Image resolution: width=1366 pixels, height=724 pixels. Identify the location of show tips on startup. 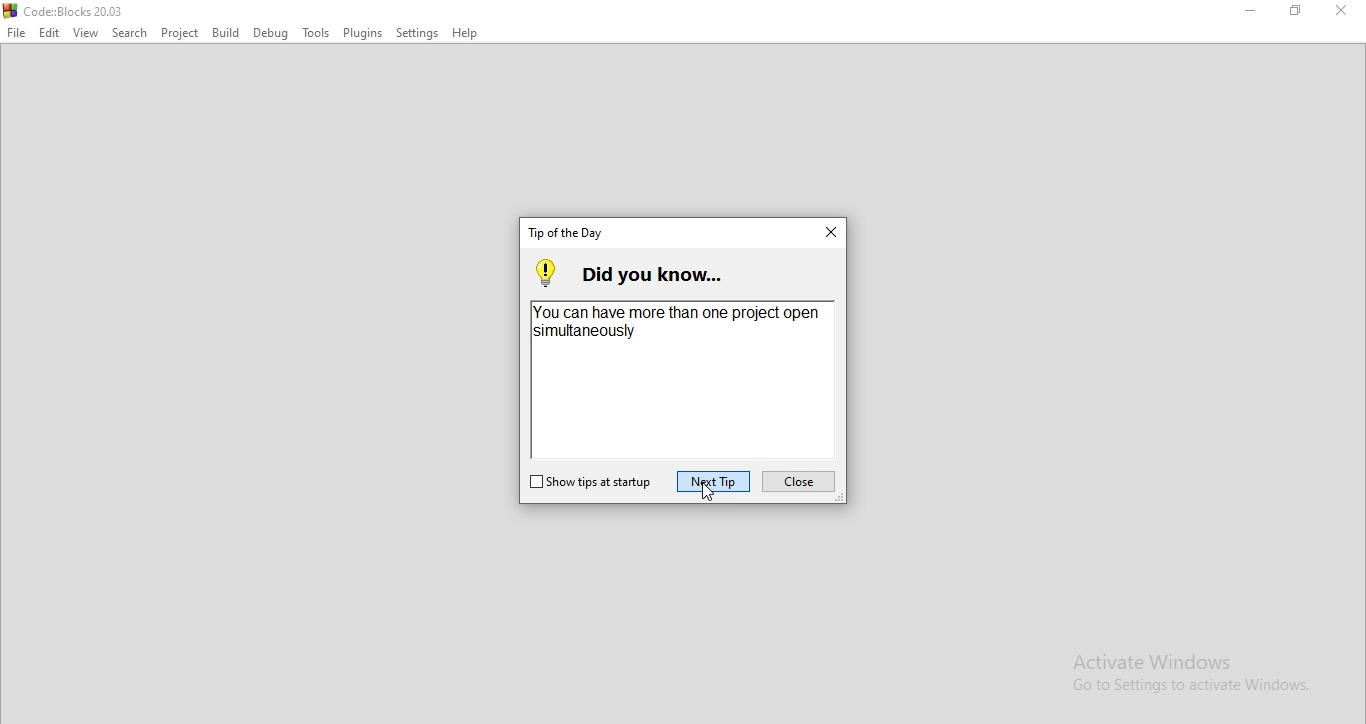
(589, 484).